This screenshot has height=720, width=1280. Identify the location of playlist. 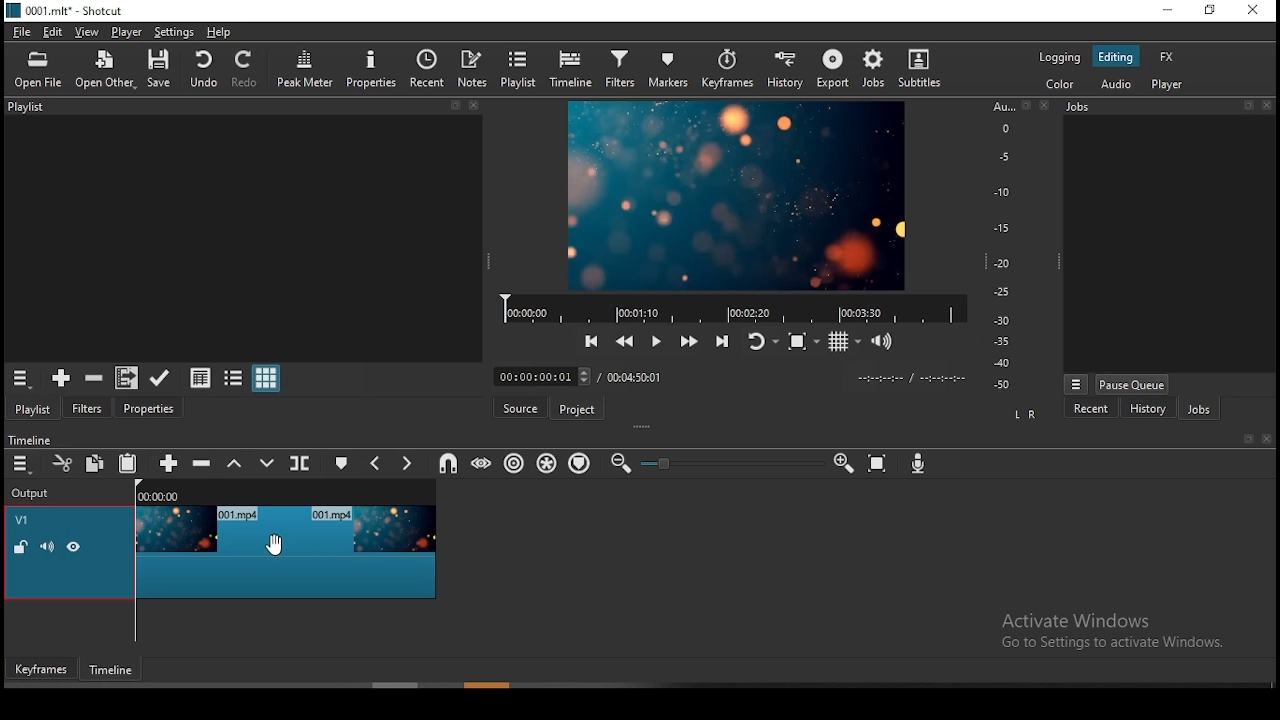
(36, 409).